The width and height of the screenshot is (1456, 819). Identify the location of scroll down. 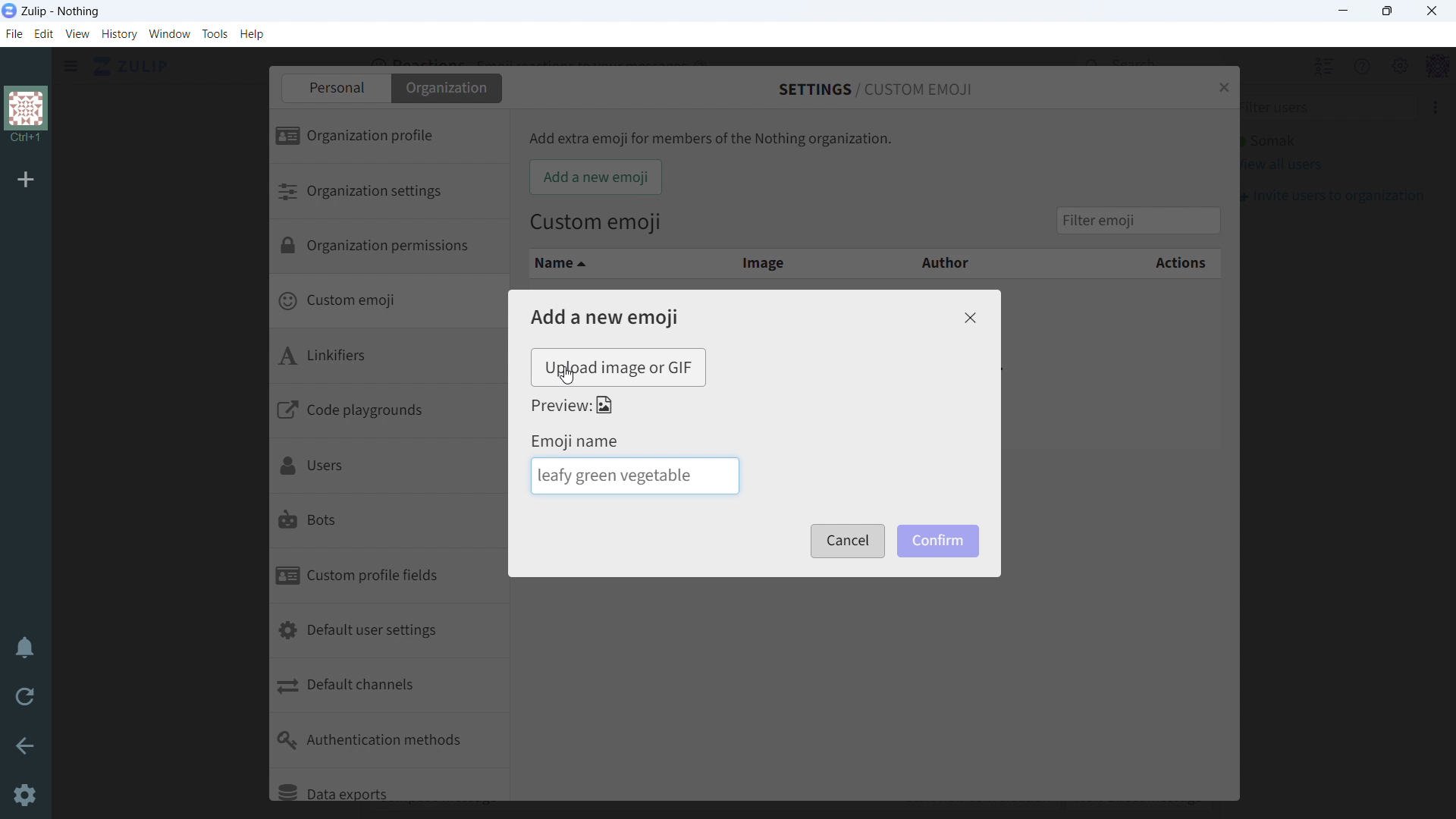
(1447, 811).